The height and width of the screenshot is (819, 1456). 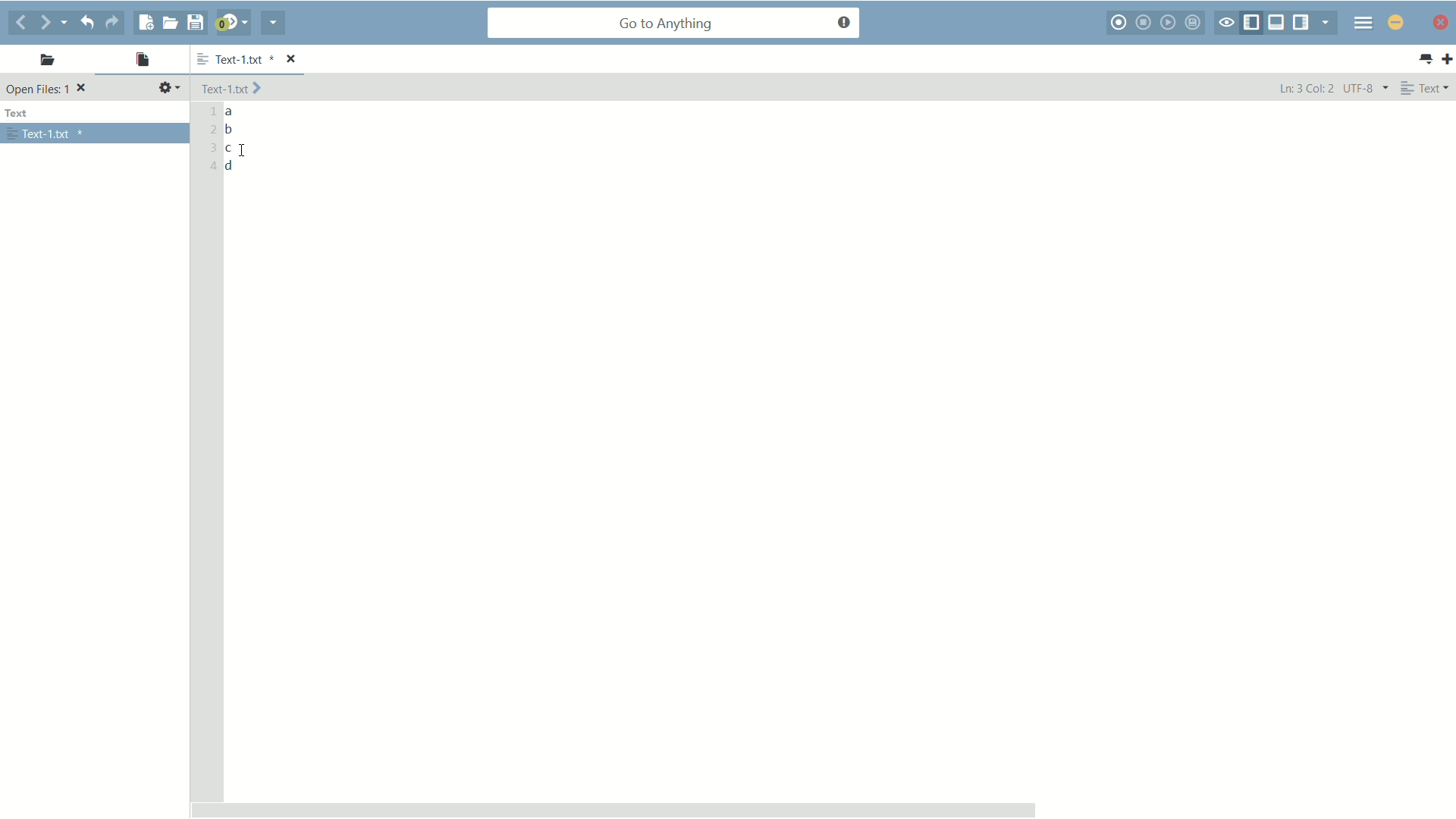 What do you see at coordinates (234, 89) in the screenshot?
I see `Text-1.txt >` at bounding box center [234, 89].